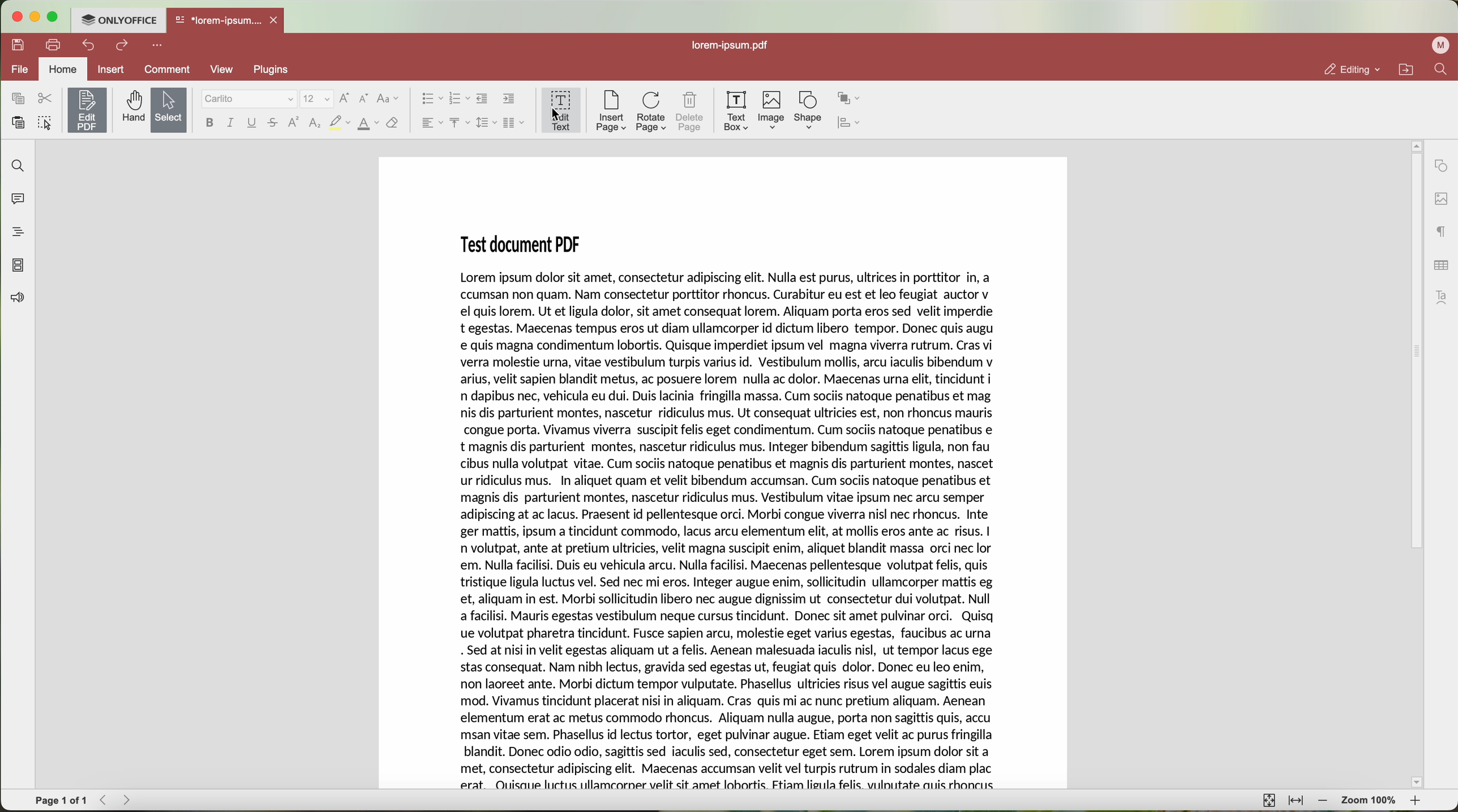  What do you see at coordinates (18, 68) in the screenshot?
I see `file` at bounding box center [18, 68].